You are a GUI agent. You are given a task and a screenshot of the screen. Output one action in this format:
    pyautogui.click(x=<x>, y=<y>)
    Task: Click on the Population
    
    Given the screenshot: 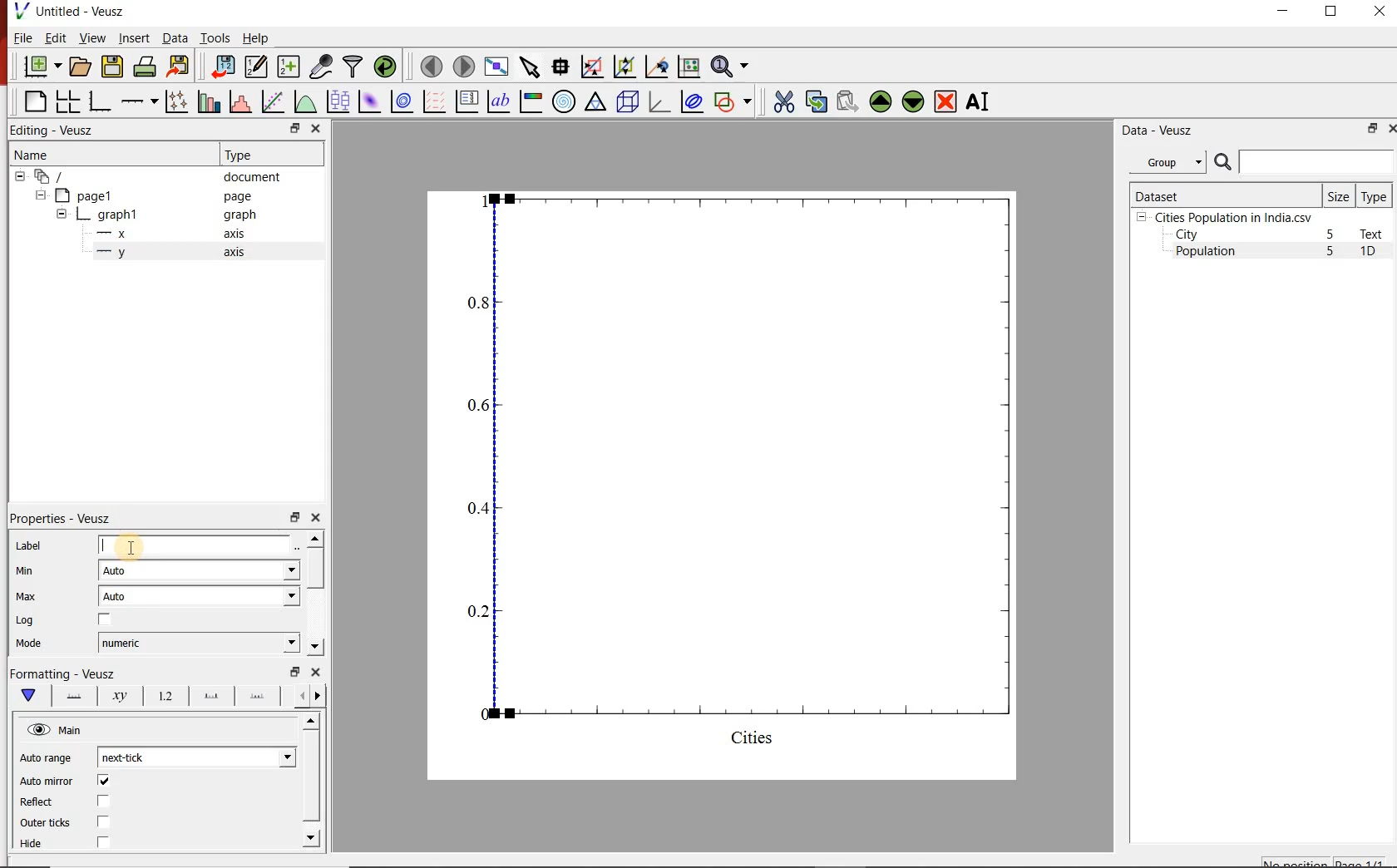 What is the action you would take?
    pyautogui.click(x=1206, y=253)
    